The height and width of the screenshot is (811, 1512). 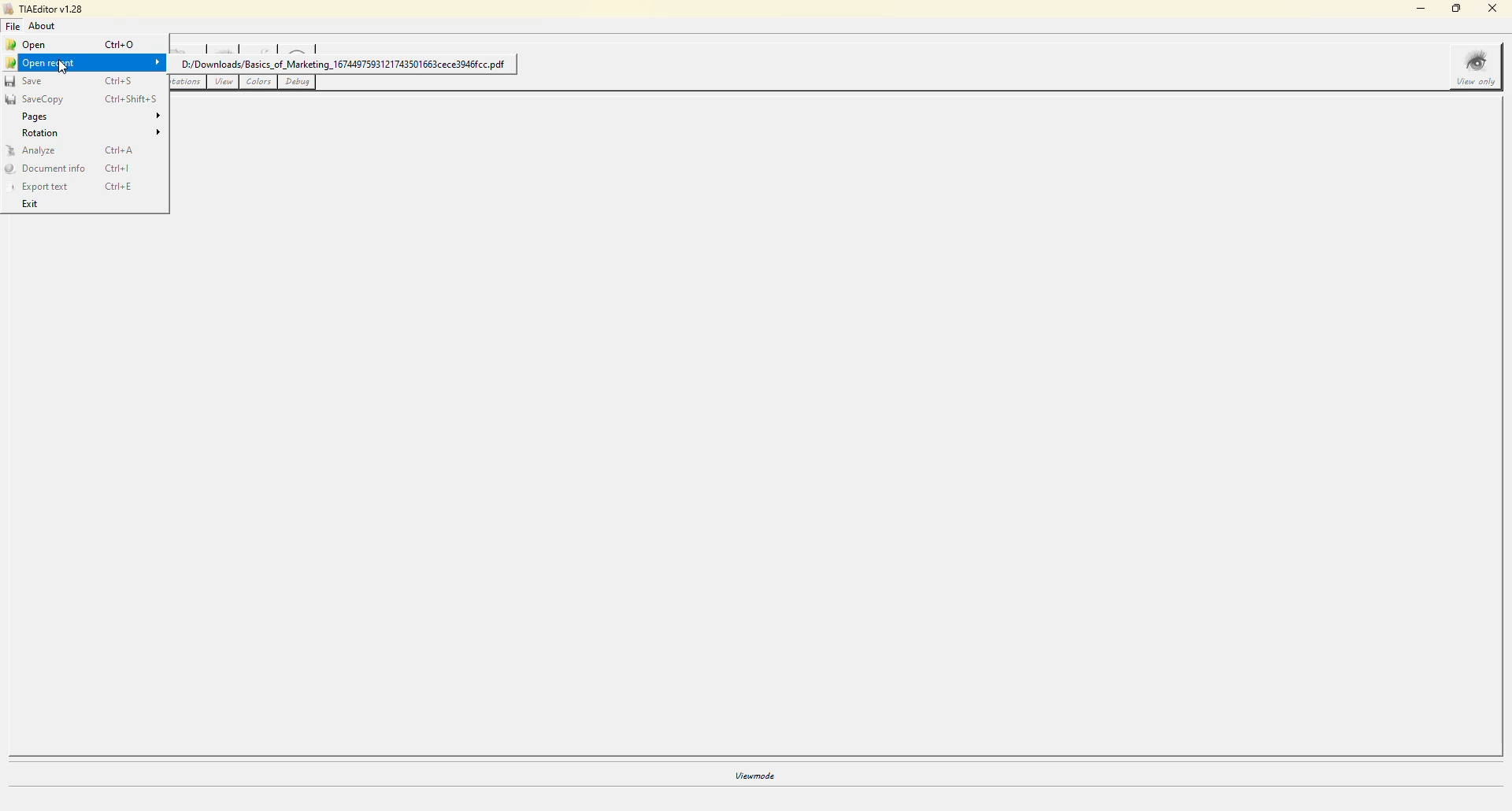 I want to click on maximize, so click(x=1455, y=9).